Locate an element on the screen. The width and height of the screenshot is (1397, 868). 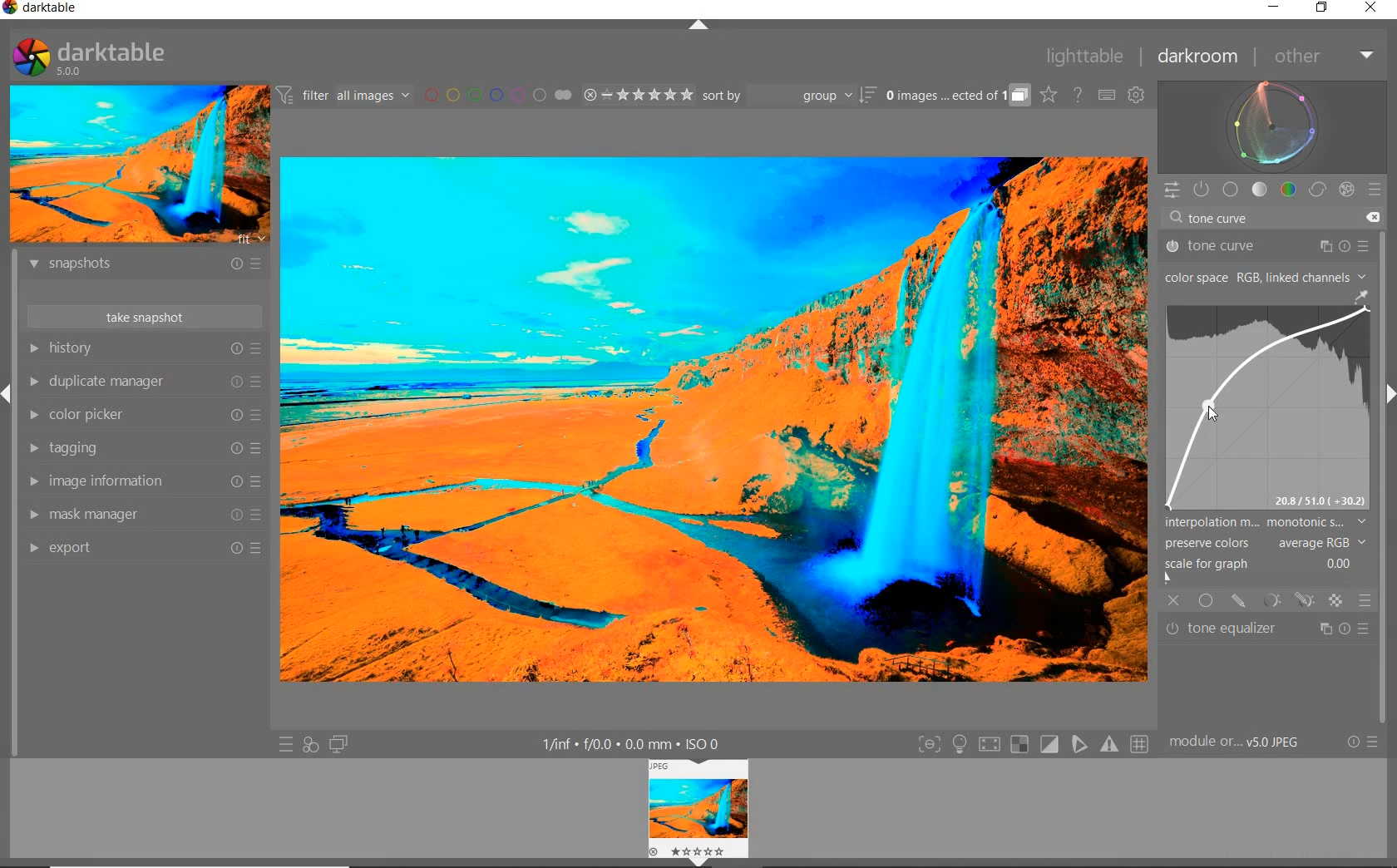
EXPAND GROUPED IMAGES is located at coordinates (958, 96).